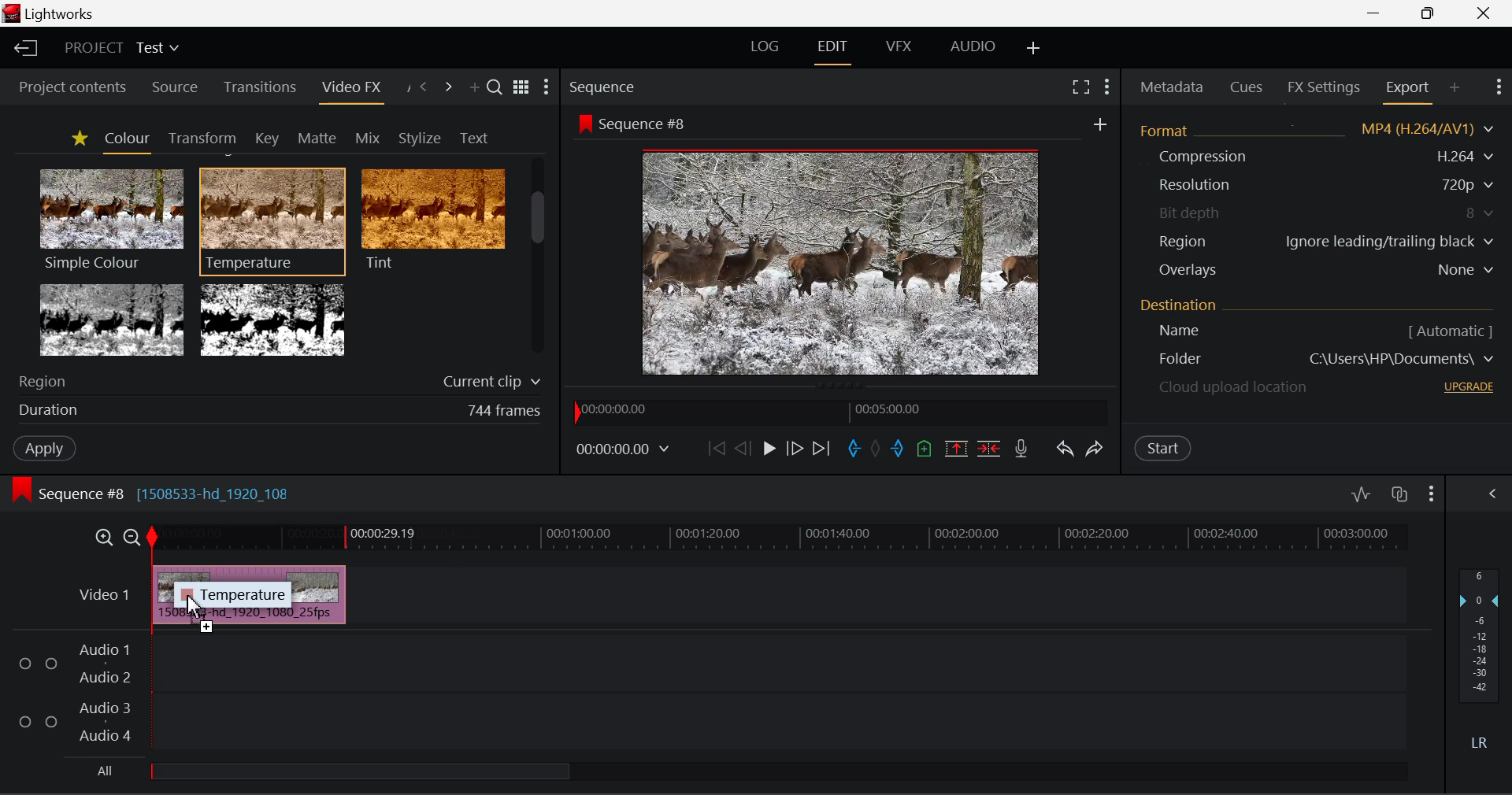  I want to click on Video FX, so click(350, 92).